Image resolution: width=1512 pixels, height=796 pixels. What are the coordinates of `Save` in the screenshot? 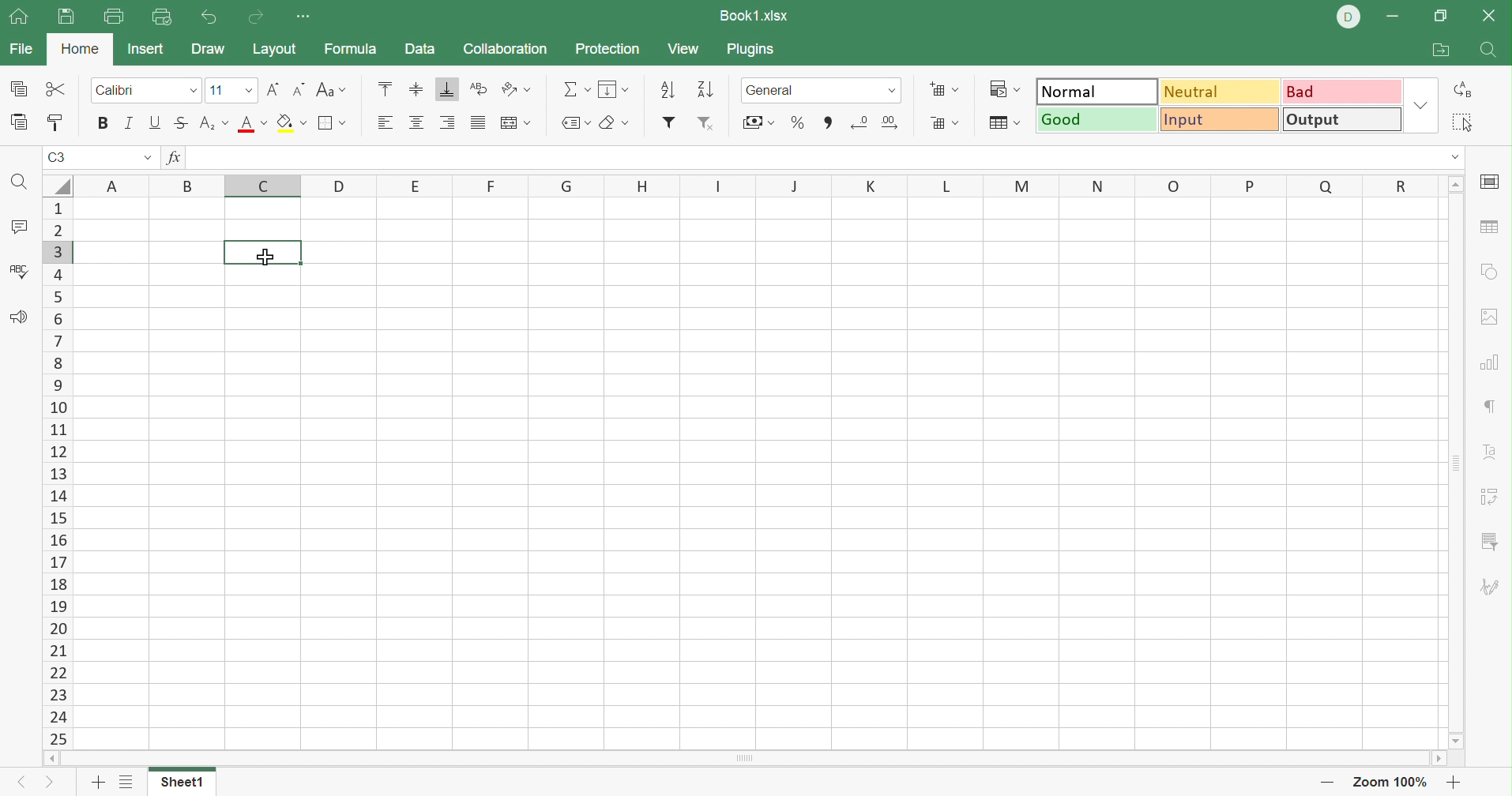 It's located at (66, 17).